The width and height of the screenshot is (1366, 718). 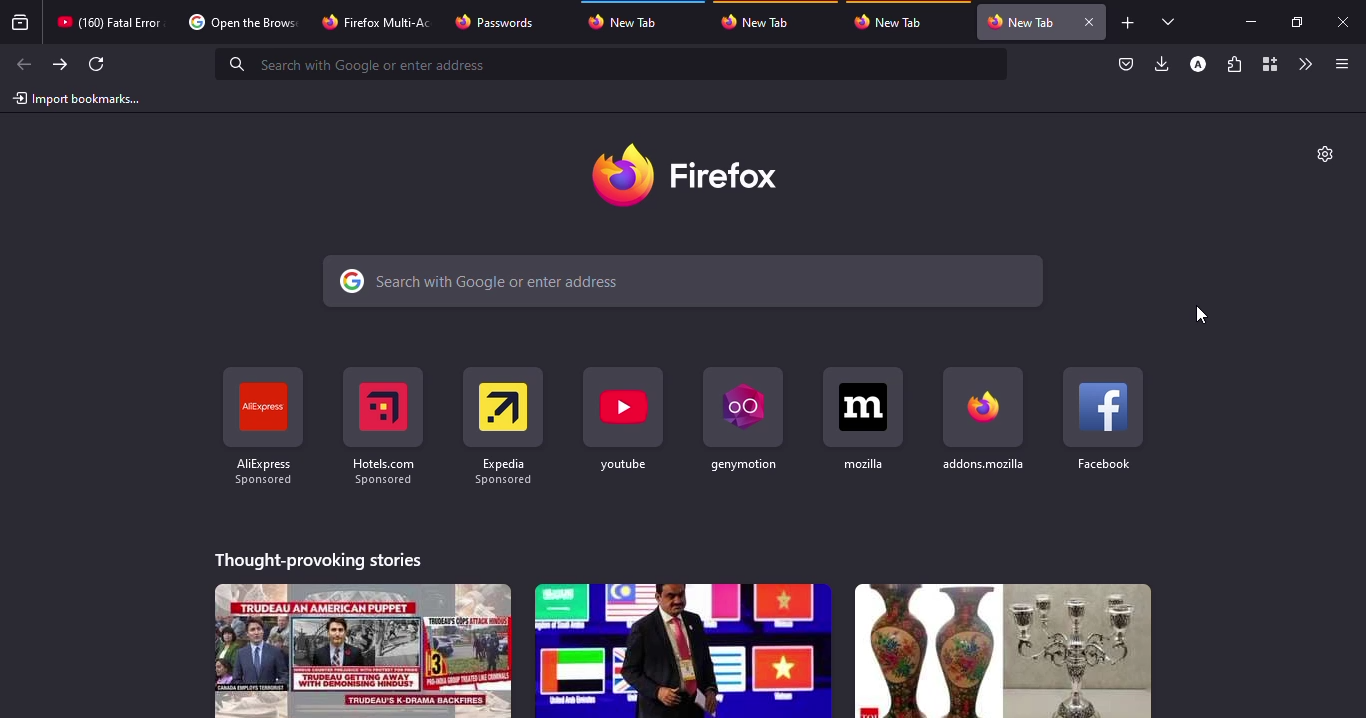 I want to click on shortcuts, so click(x=381, y=423).